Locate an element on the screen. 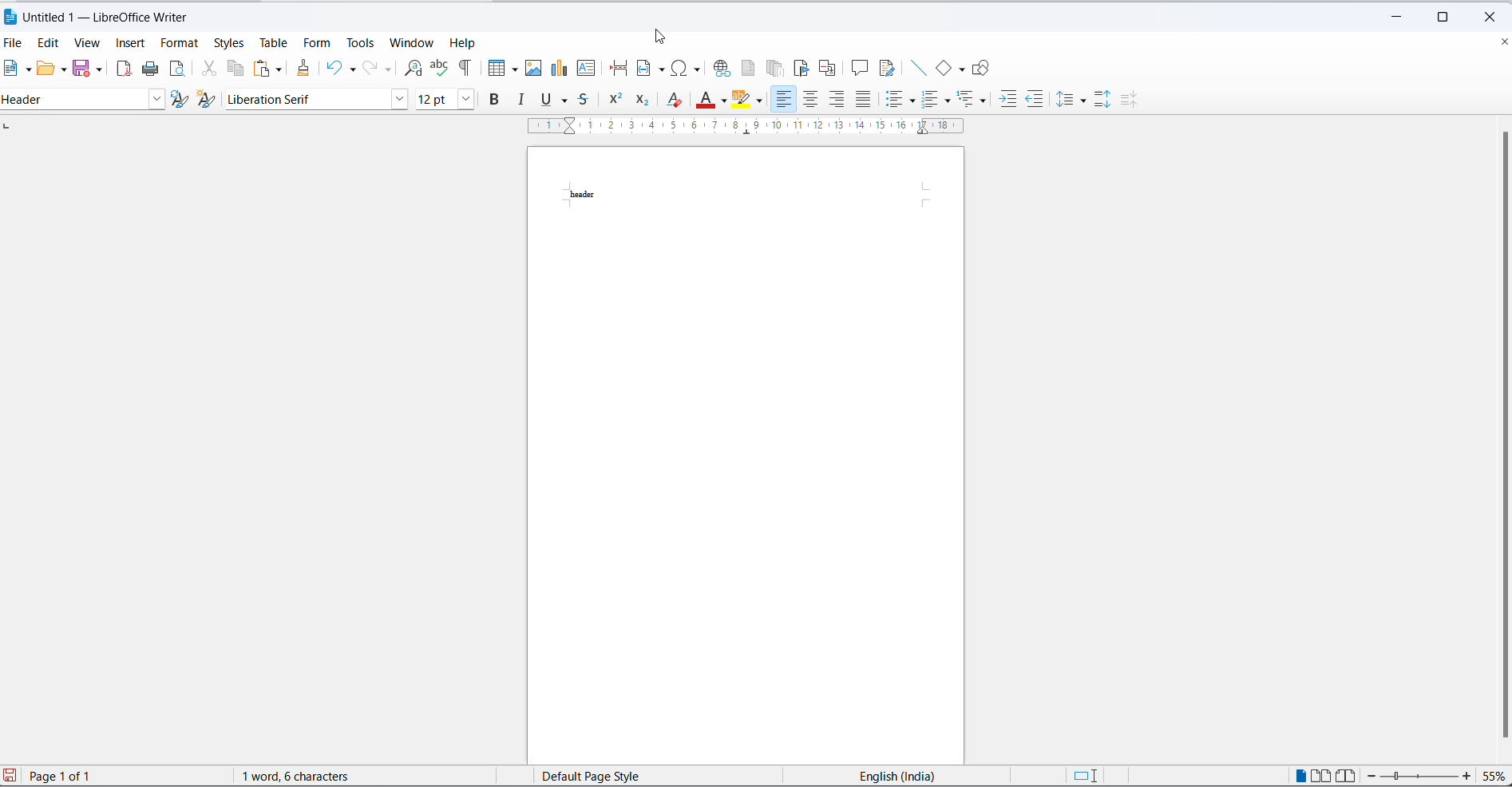  header is located at coordinates (577, 193).